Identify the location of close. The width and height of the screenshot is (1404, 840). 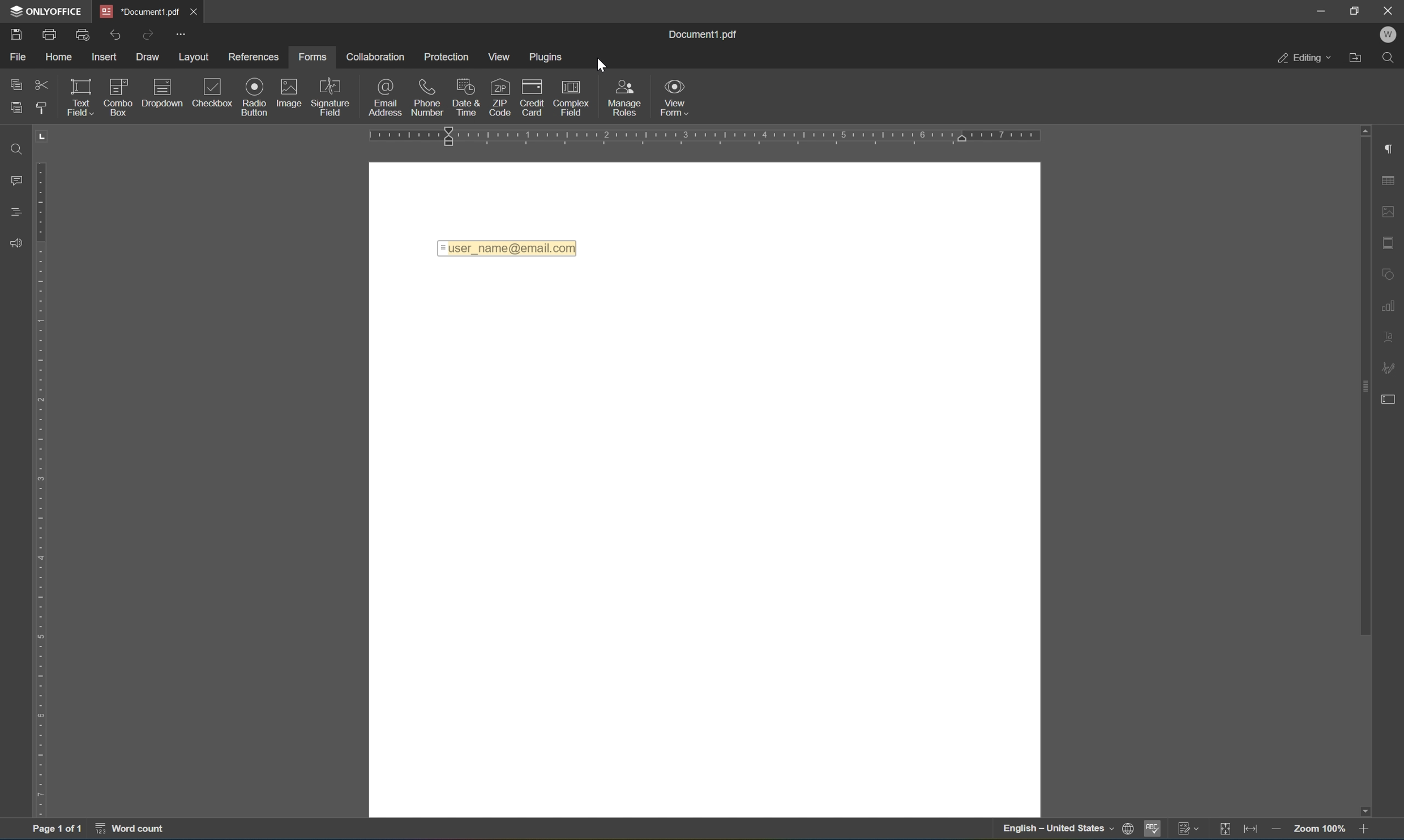
(1390, 11).